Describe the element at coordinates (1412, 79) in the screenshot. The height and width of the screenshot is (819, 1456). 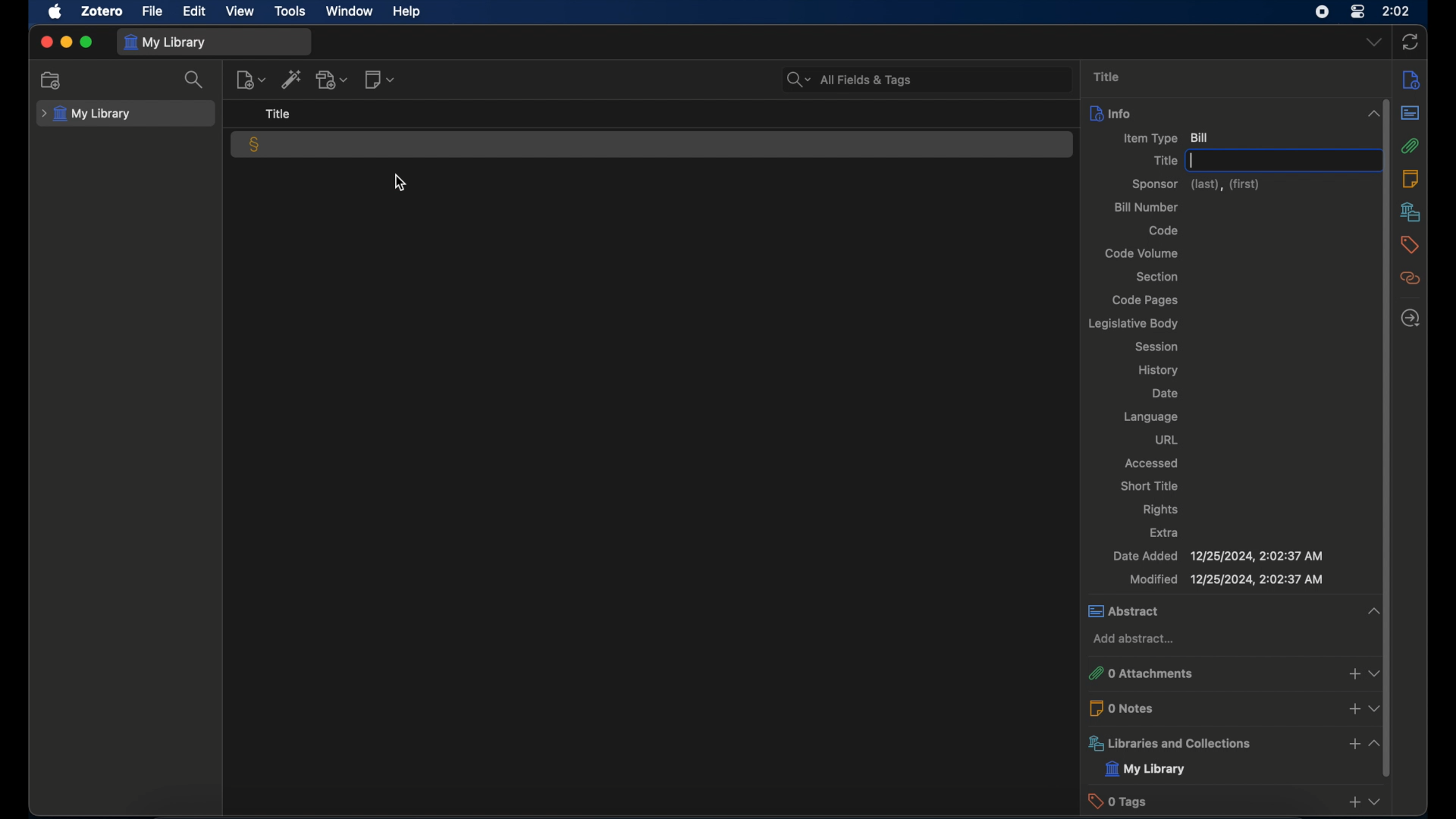
I see `info` at that location.